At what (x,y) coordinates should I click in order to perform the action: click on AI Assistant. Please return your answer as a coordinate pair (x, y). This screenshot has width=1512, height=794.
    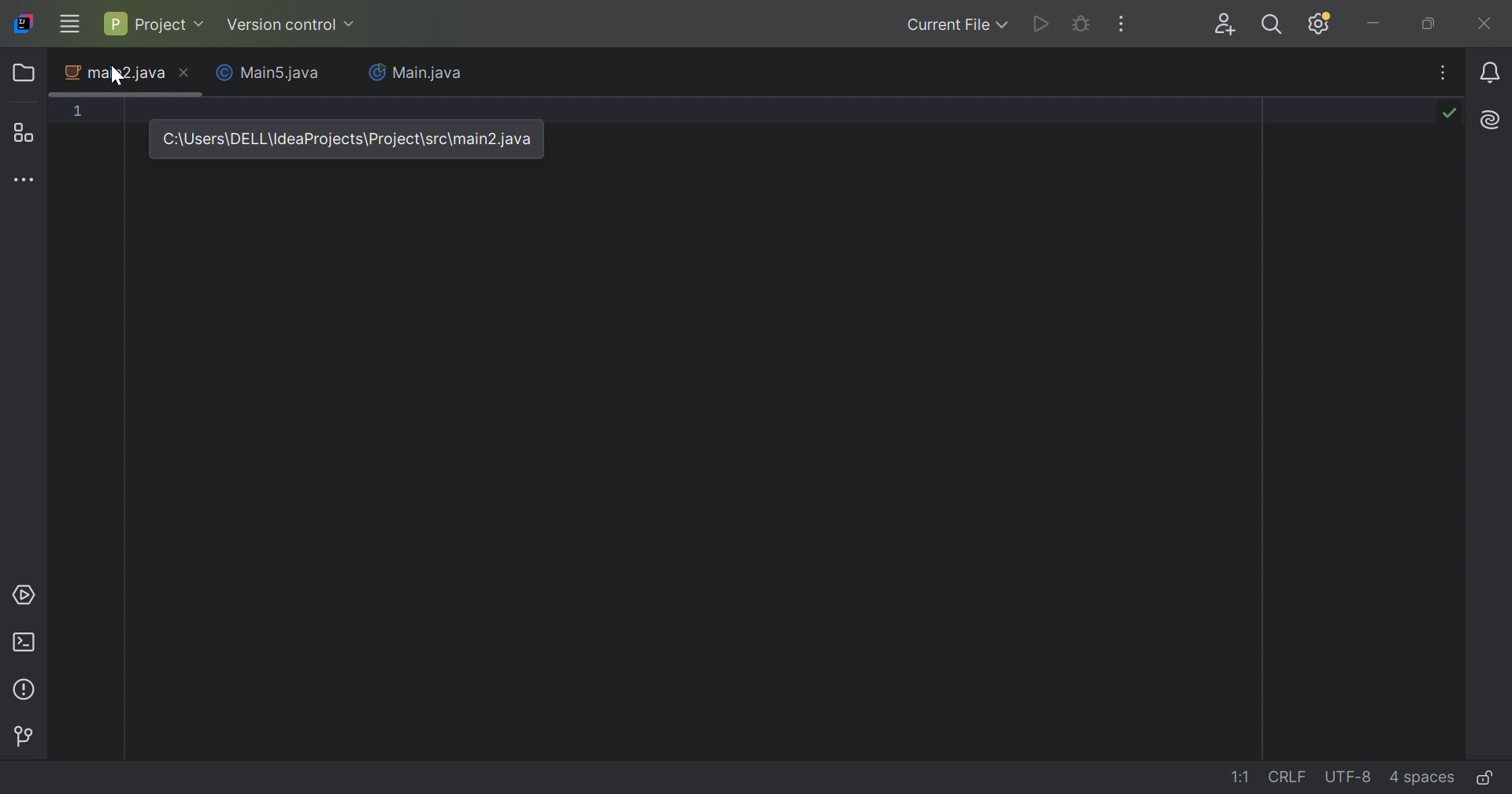
    Looking at the image, I should click on (1493, 118).